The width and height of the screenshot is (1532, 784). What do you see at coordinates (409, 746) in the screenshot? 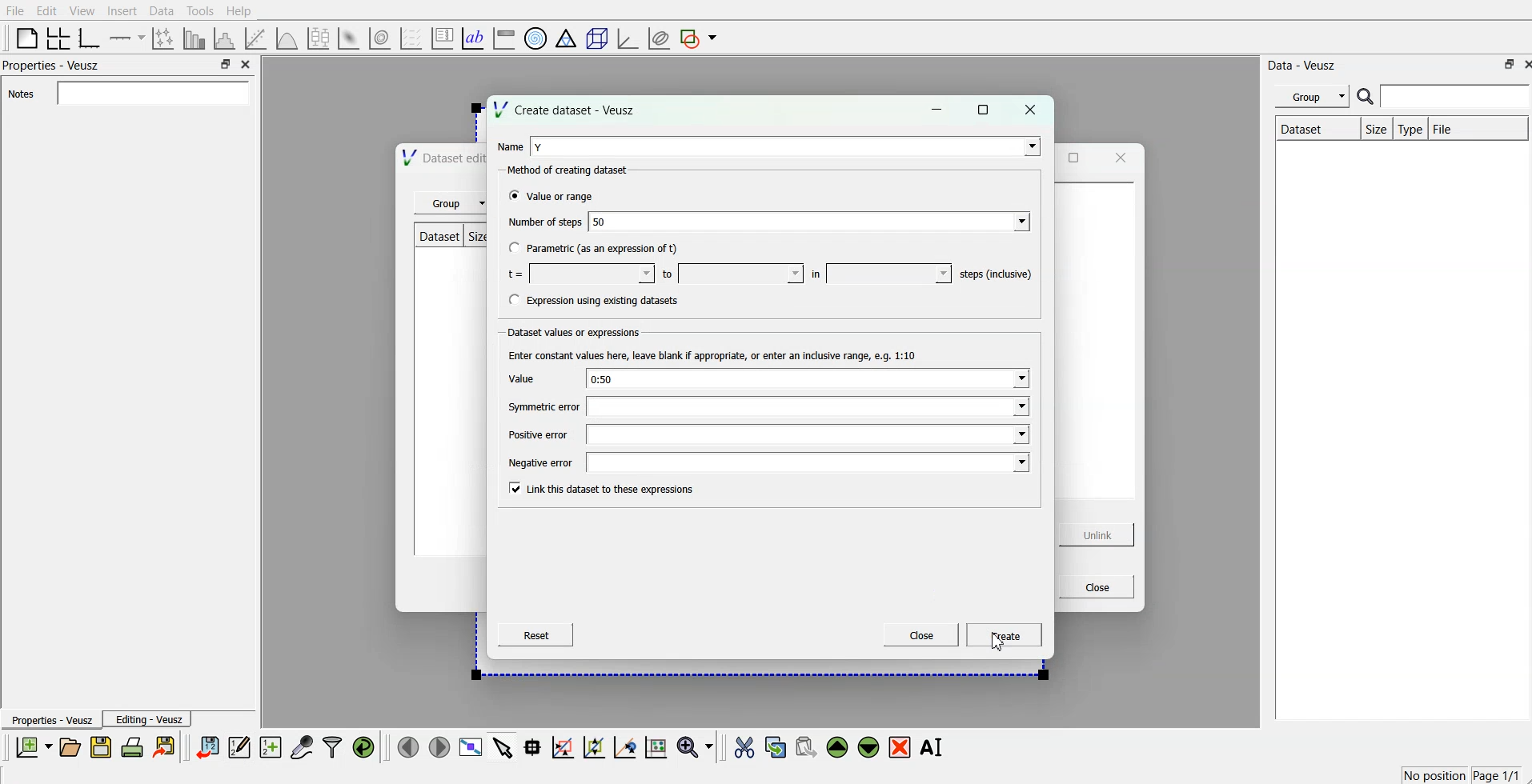
I see `move to previous page` at bounding box center [409, 746].